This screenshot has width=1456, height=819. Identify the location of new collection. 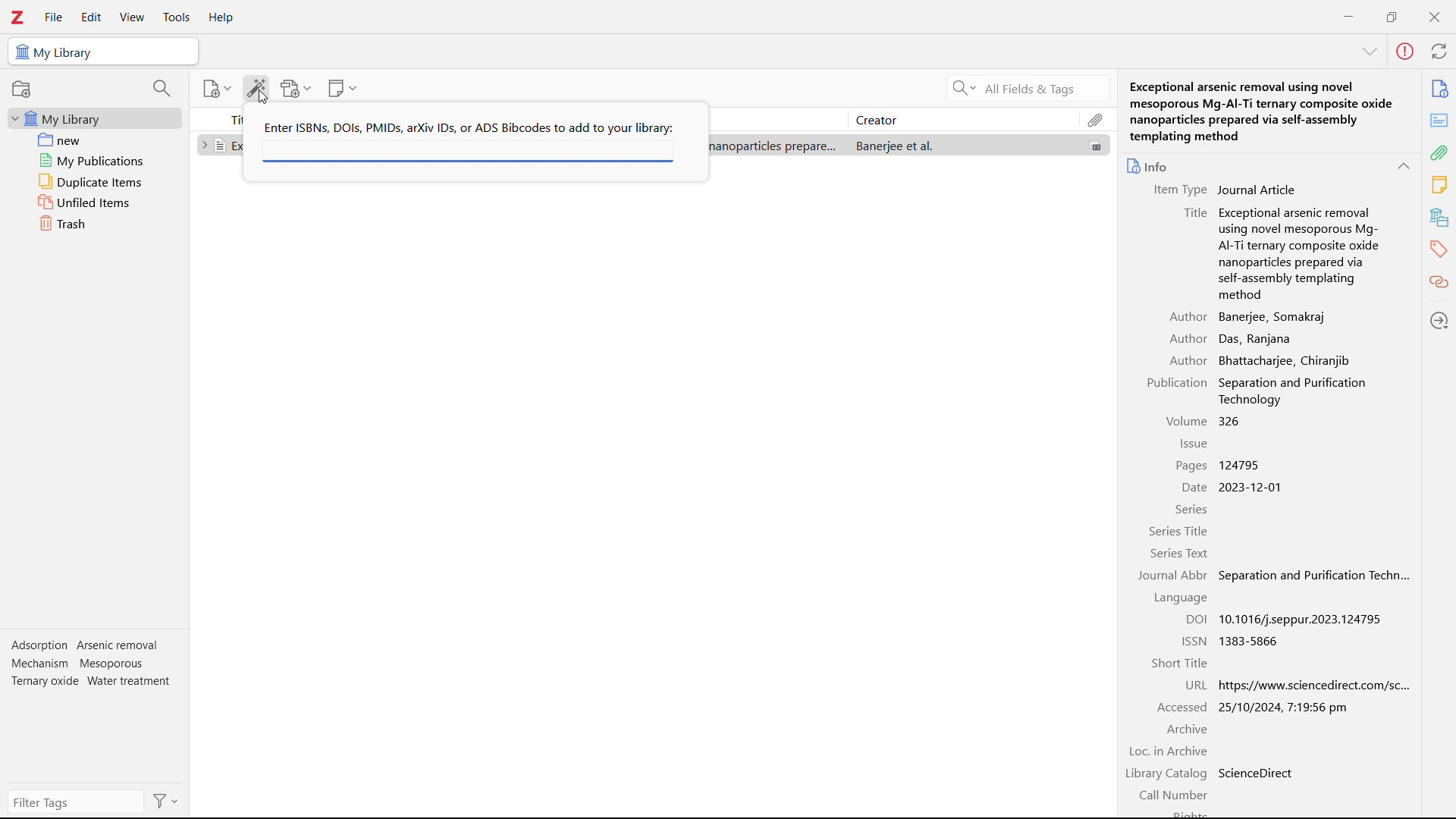
(21, 89).